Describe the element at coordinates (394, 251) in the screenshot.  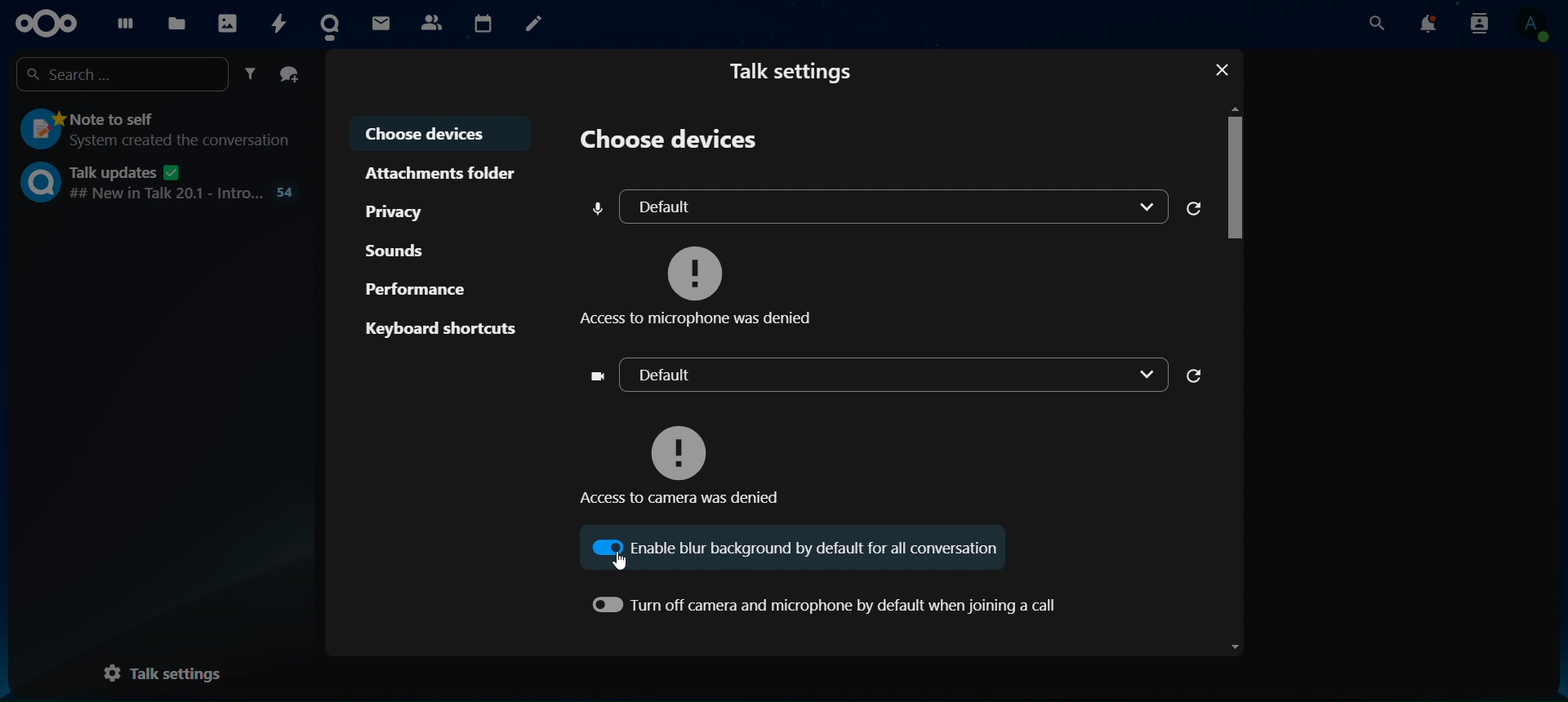
I see `sounds` at that location.